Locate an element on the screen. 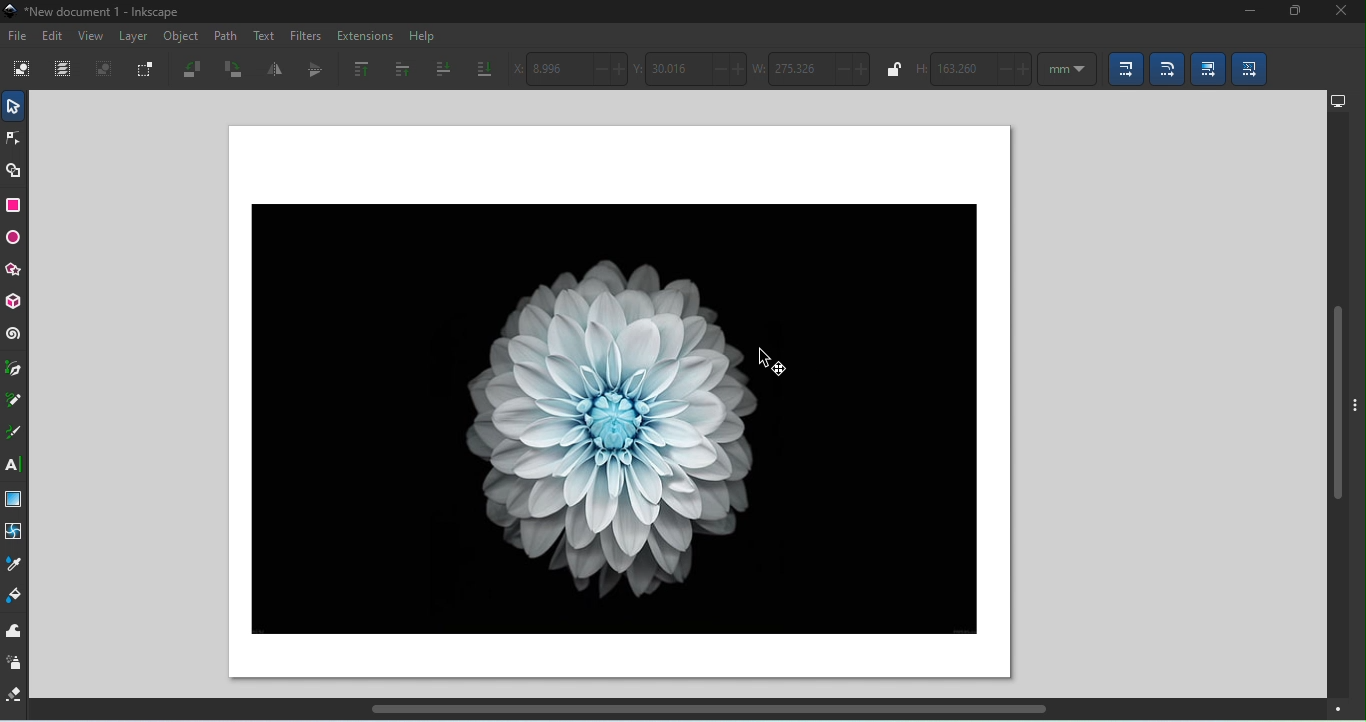 This screenshot has width=1366, height=722. Horizontal coordinate of the selection is located at coordinates (572, 69).